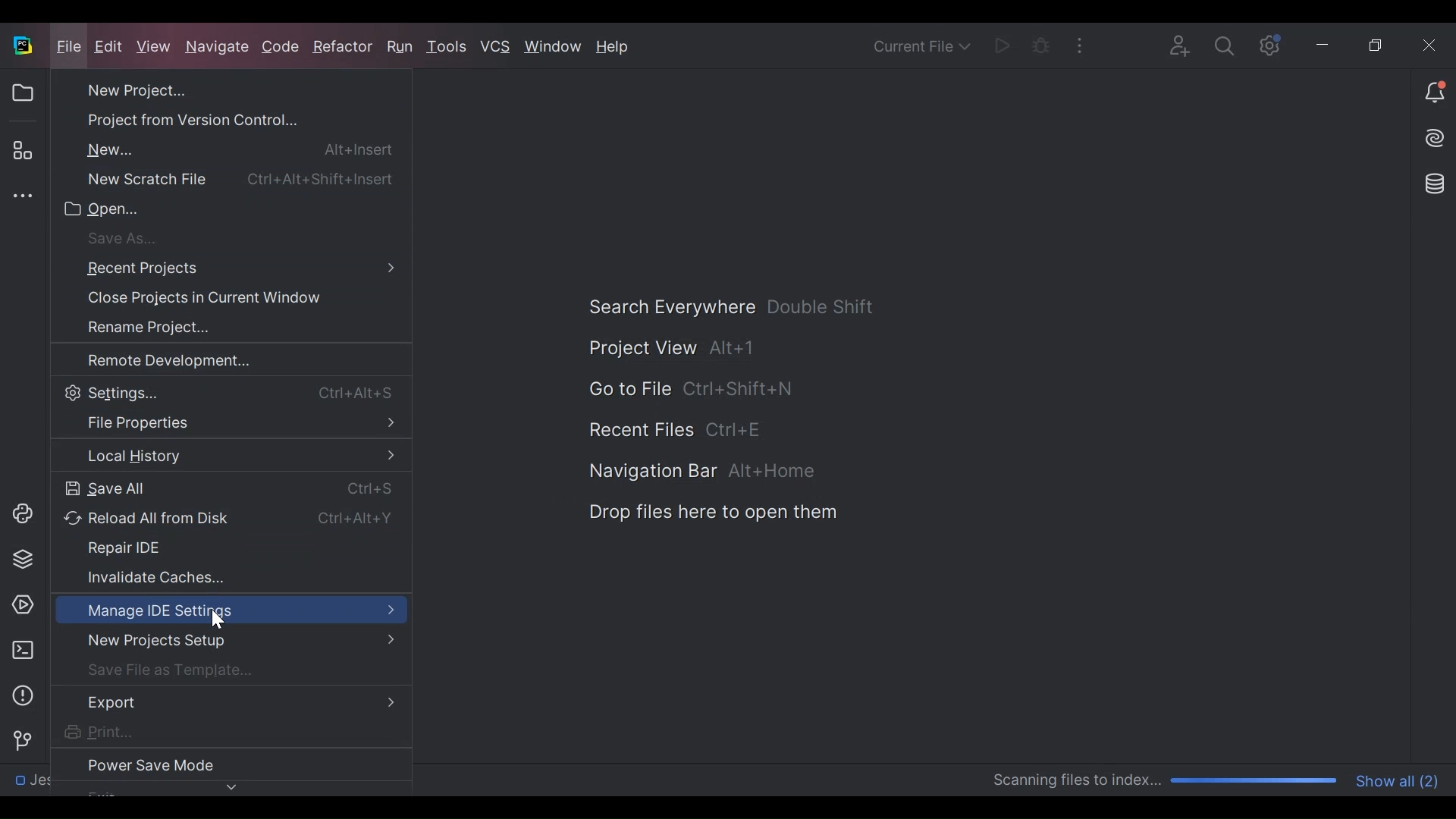 The image size is (1456, 819). I want to click on Code with Me, so click(1181, 44).